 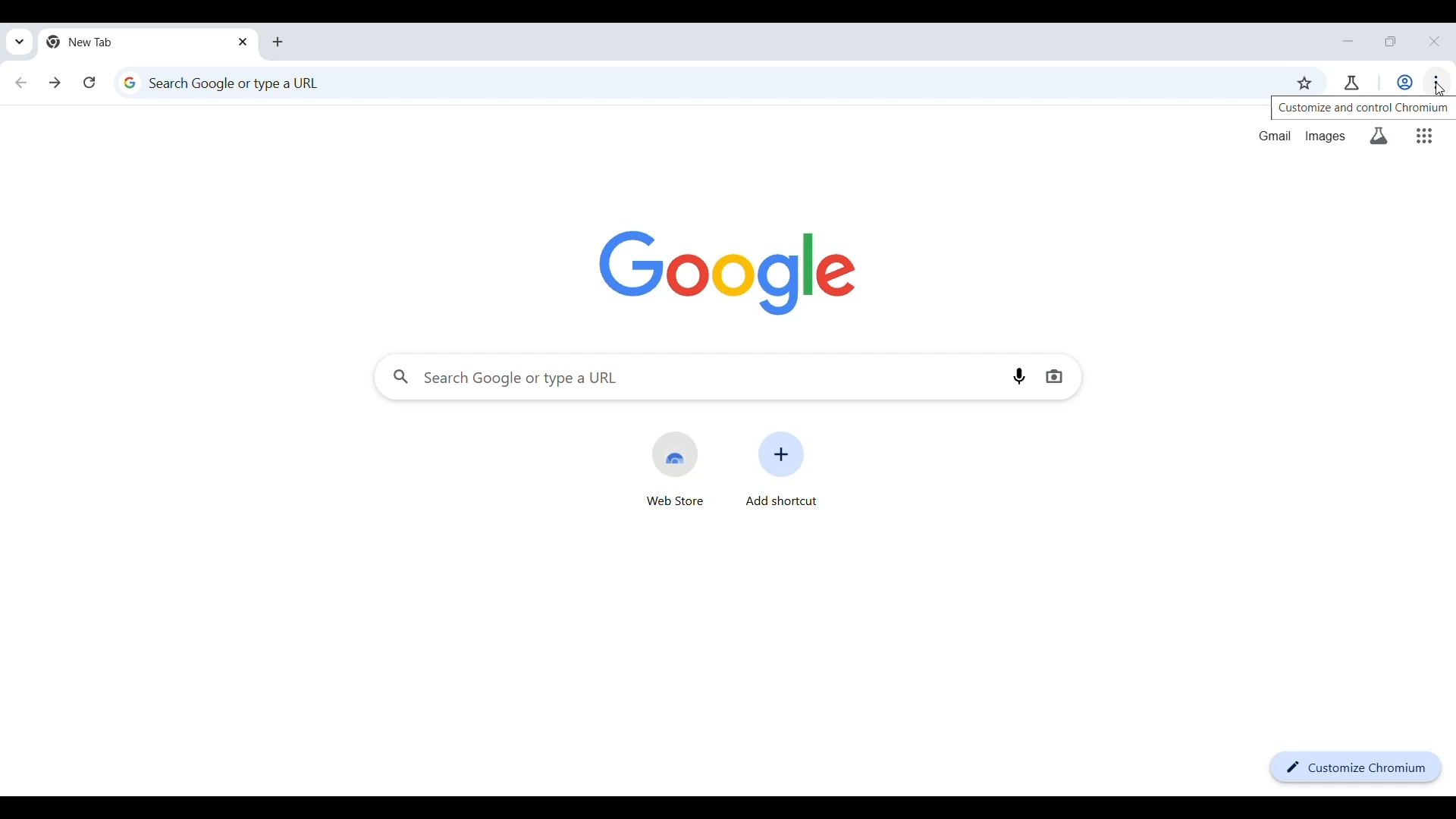 I want to click on Google logo, so click(x=727, y=274).